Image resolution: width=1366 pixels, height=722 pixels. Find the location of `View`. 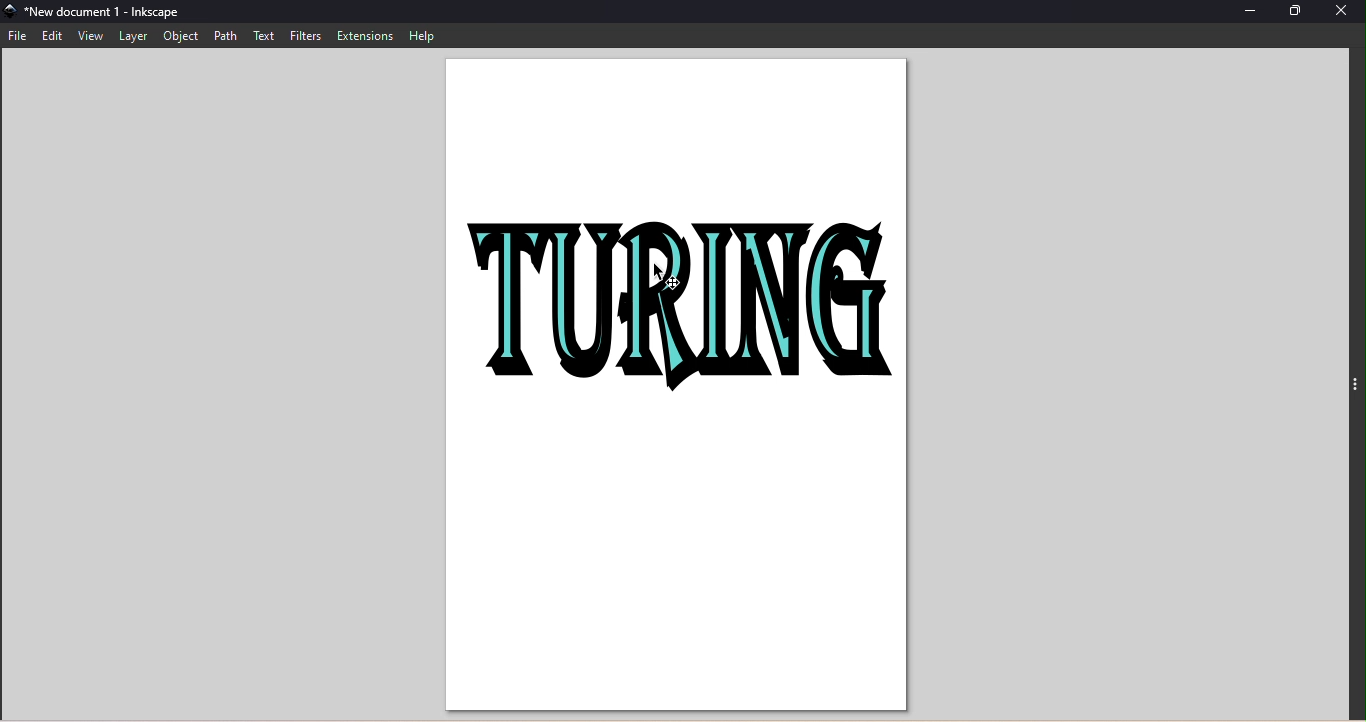

View is located at coordinates (92, 37).